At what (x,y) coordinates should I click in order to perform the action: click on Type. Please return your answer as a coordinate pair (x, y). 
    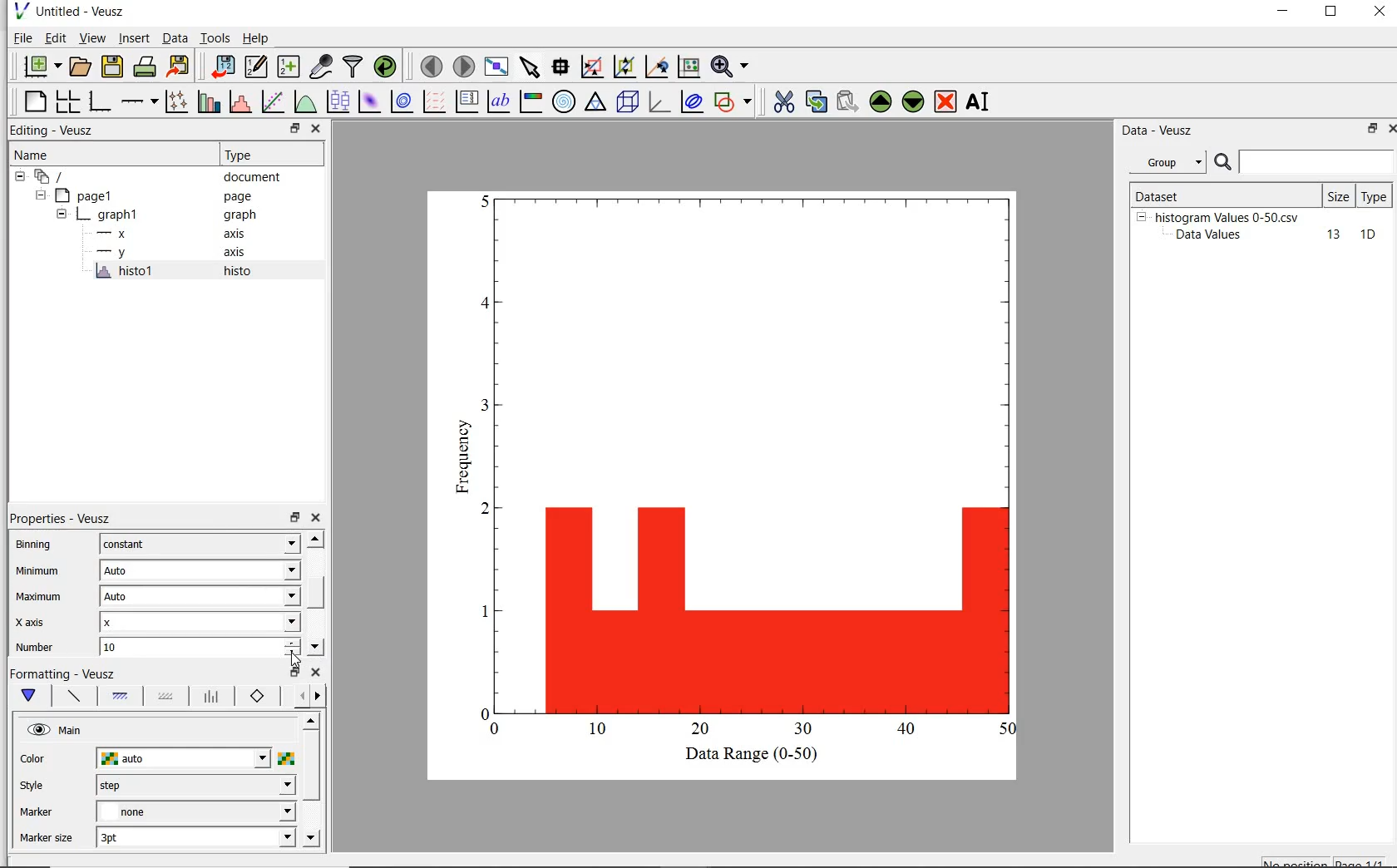
    Looking at the image, I should click on (268, 155).